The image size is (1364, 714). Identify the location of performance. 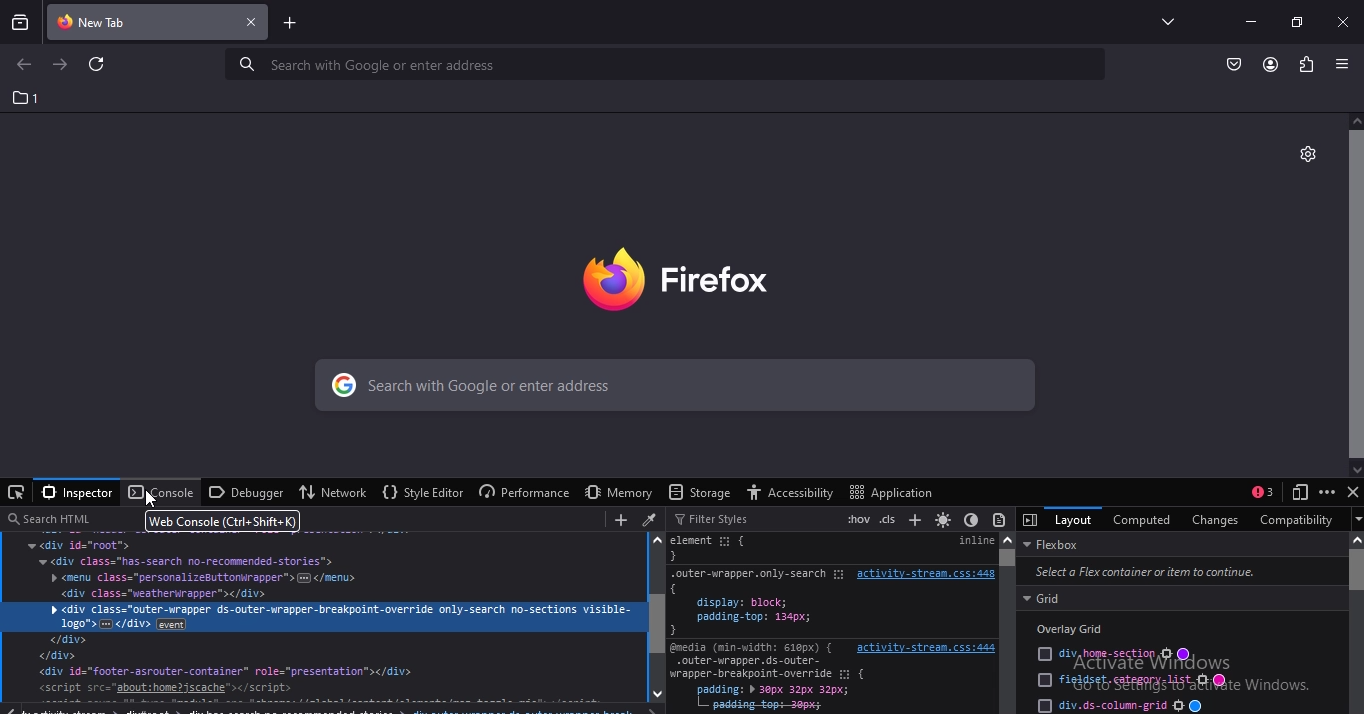
(524, 490).